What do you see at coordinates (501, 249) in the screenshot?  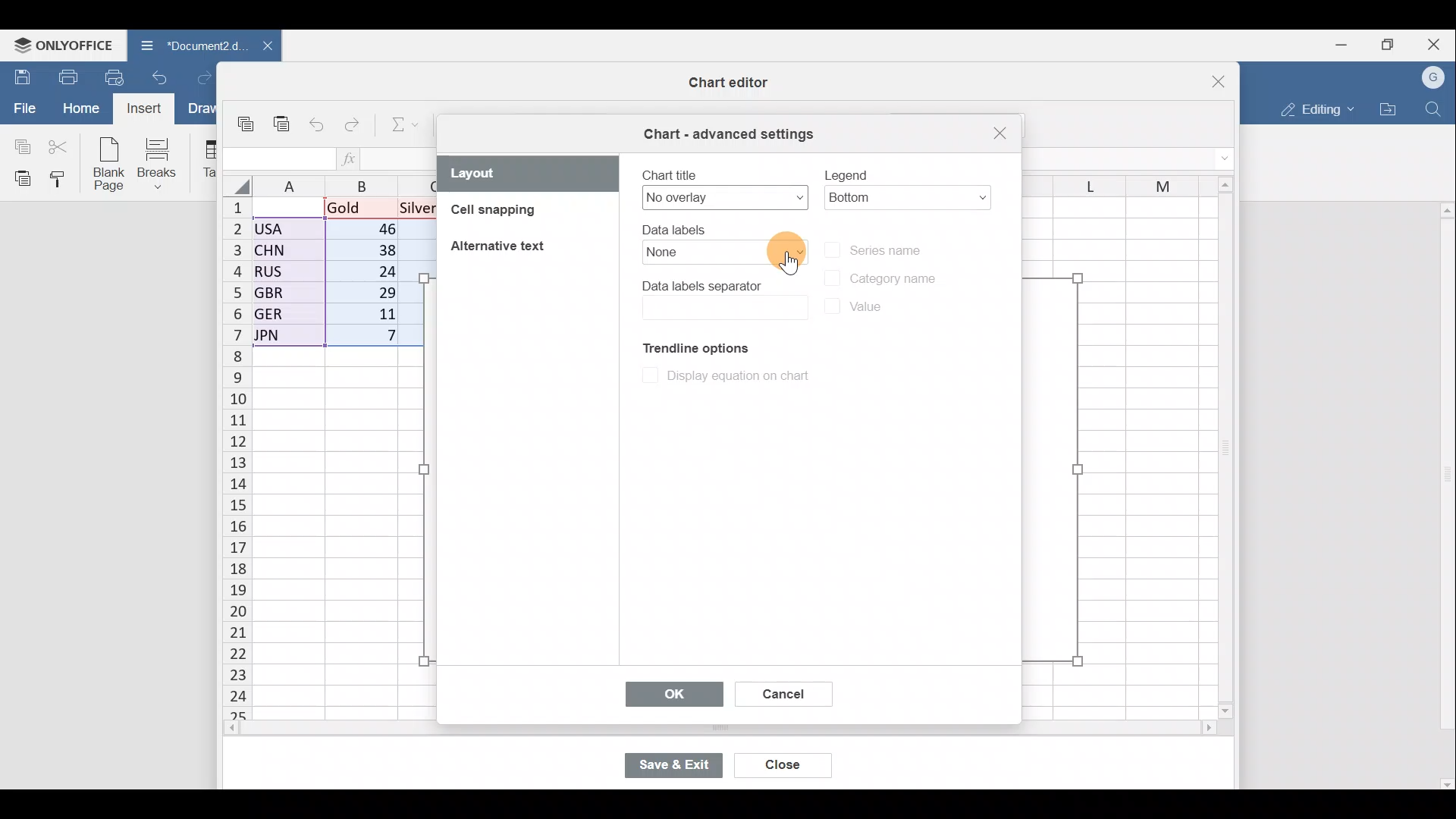 I see `Alternative text` at bounding box center [501, 249].